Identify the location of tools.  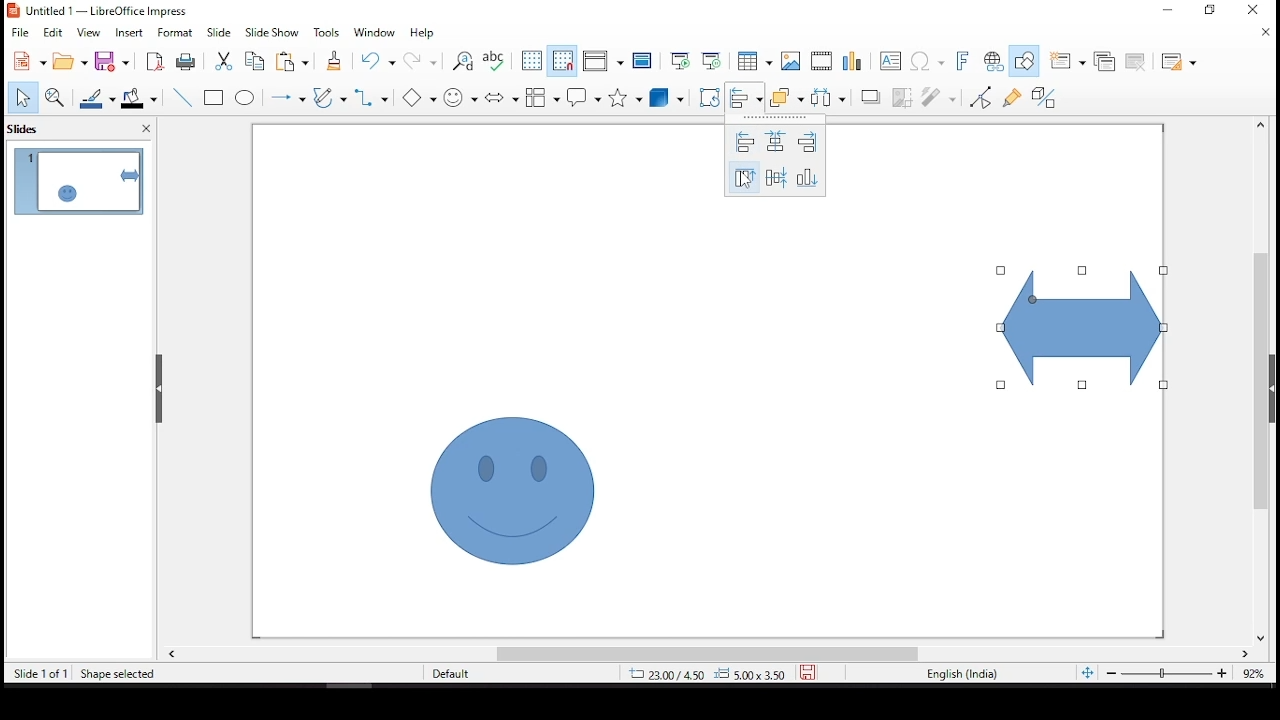
(327, 33).